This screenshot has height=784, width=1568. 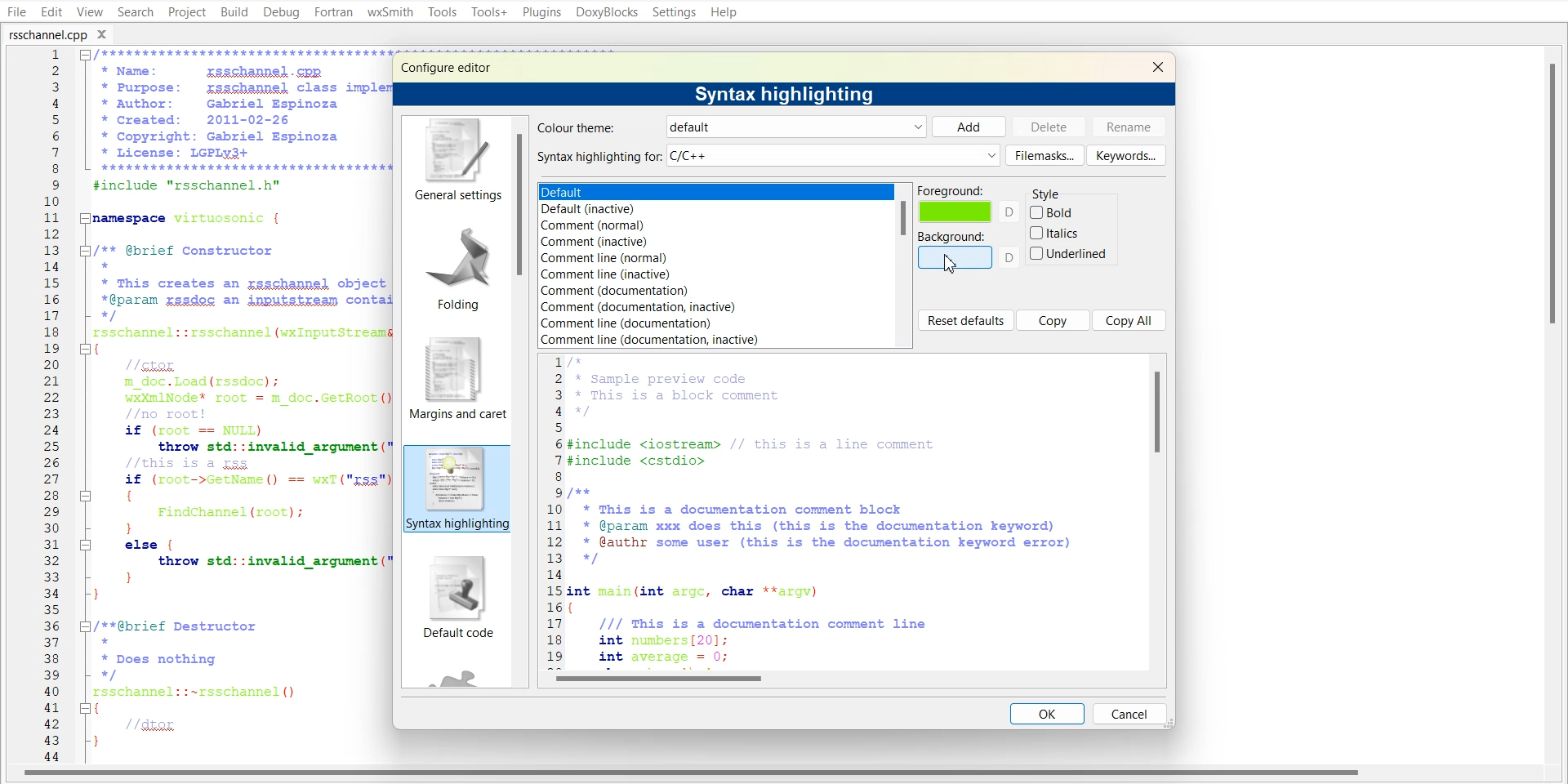 I want to click on OK, so click(x=1048, y=713).